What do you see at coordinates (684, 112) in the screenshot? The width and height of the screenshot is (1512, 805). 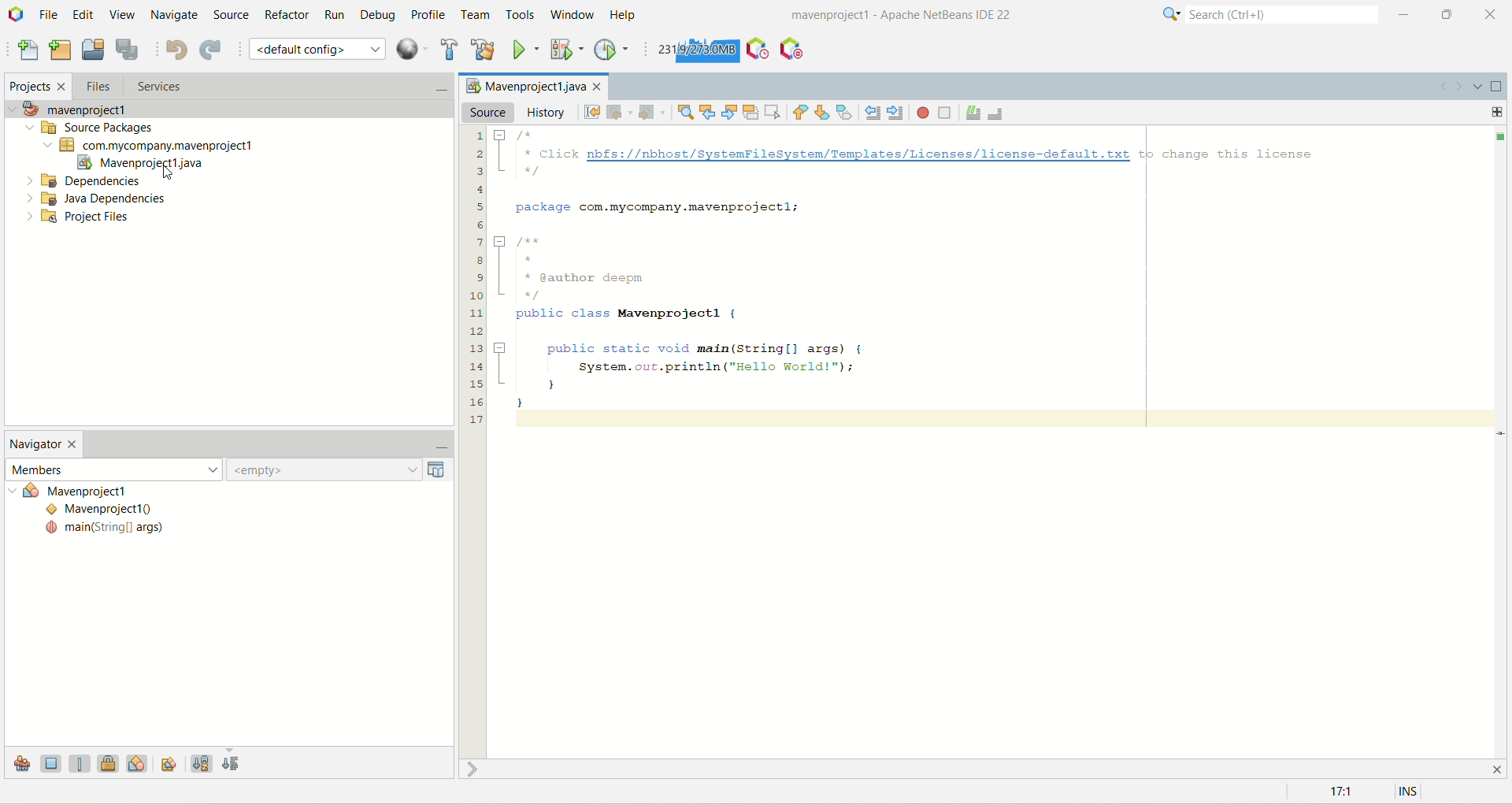 I see `find selection` at bounding box center [684, 112].